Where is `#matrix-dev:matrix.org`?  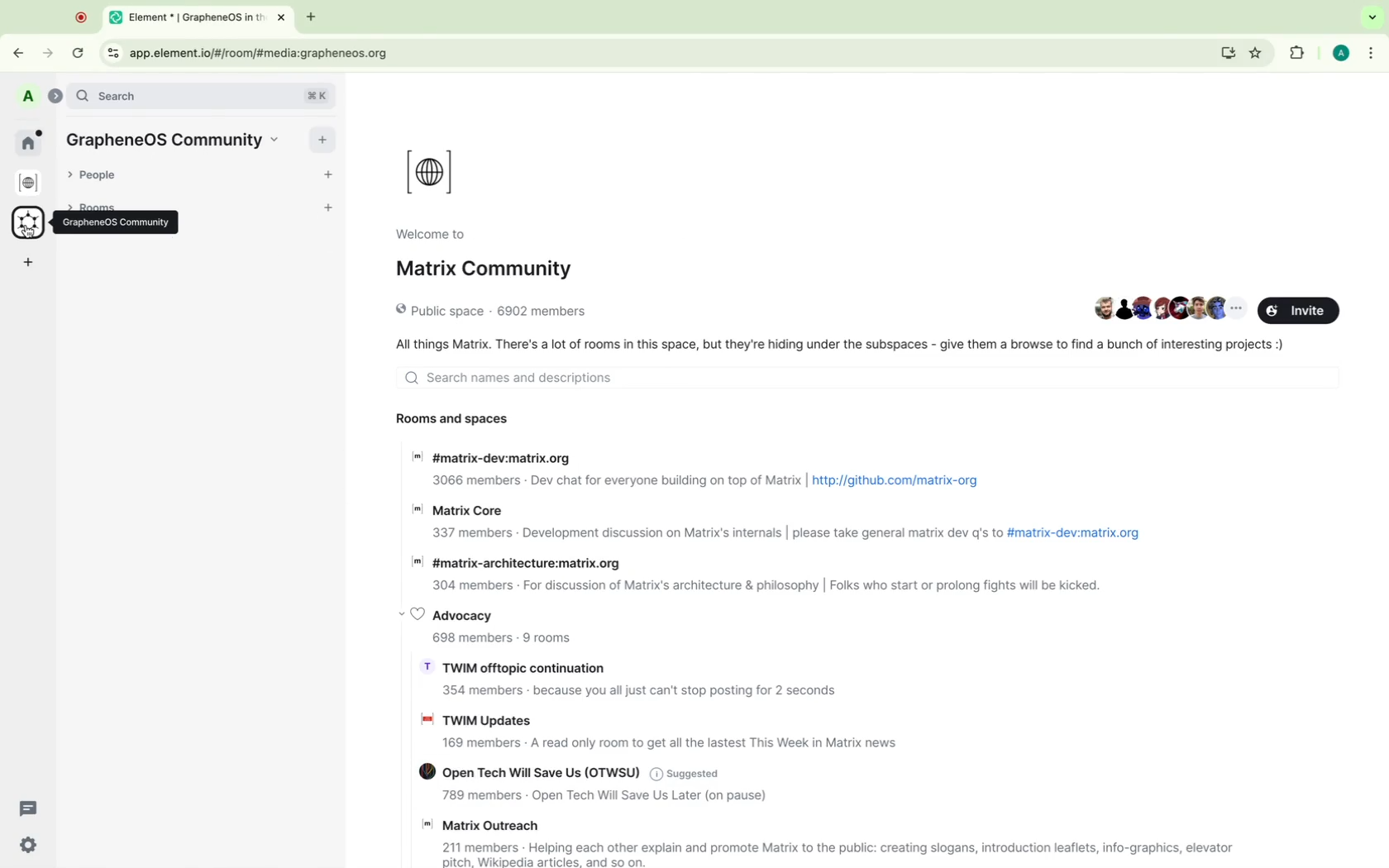
#matrix-dev:matrix.org is located at coordinates (491, 456).